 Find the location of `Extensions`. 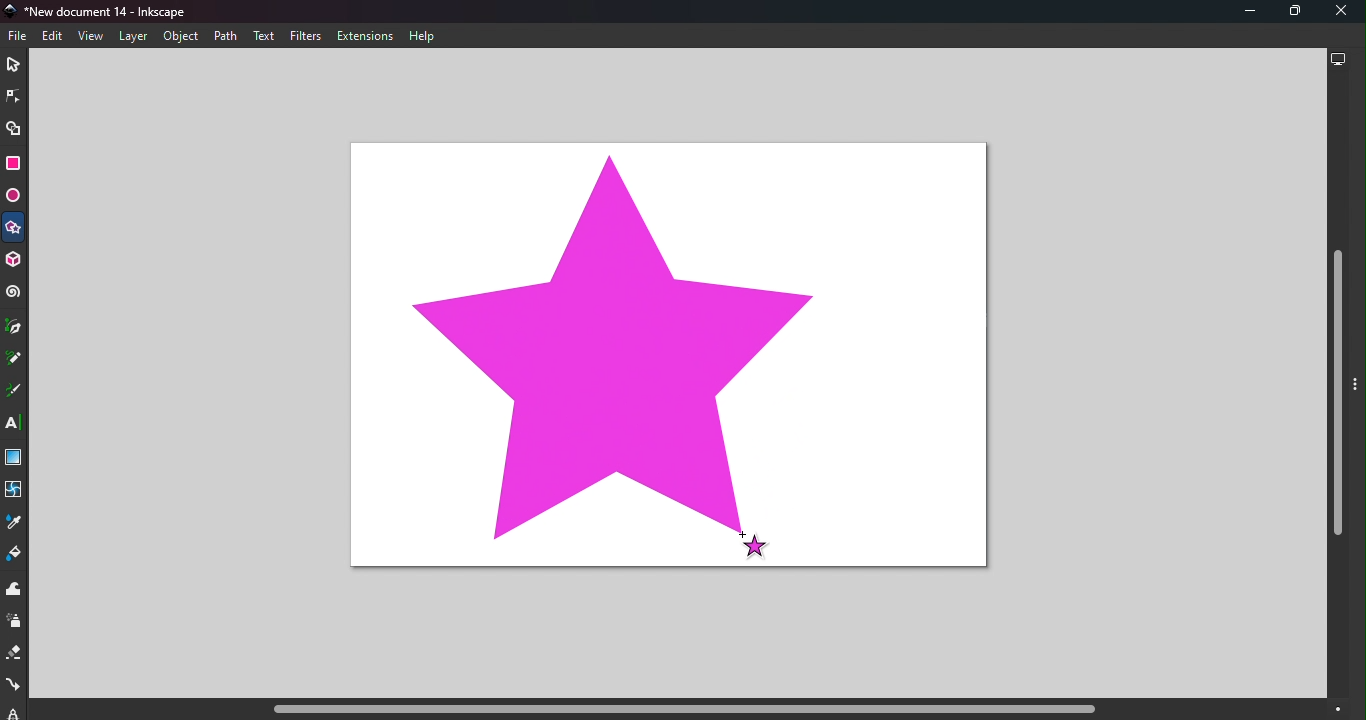

Extensions is located at coordinates (369, 36).